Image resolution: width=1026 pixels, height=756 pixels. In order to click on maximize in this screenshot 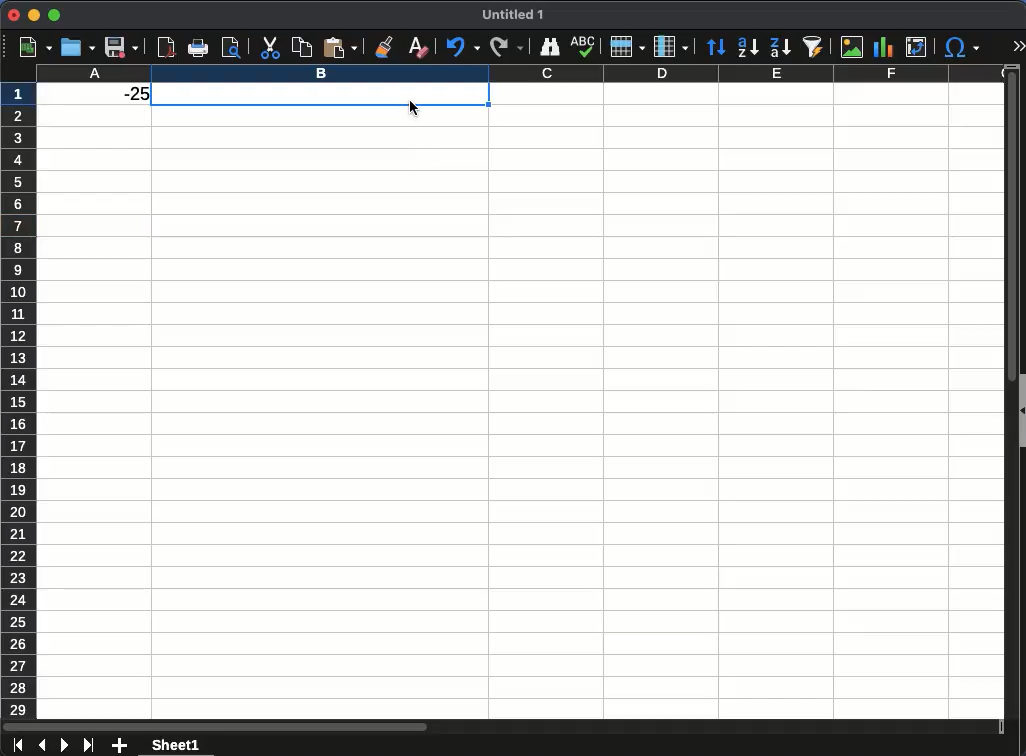, I will do `click(55, 15)`.